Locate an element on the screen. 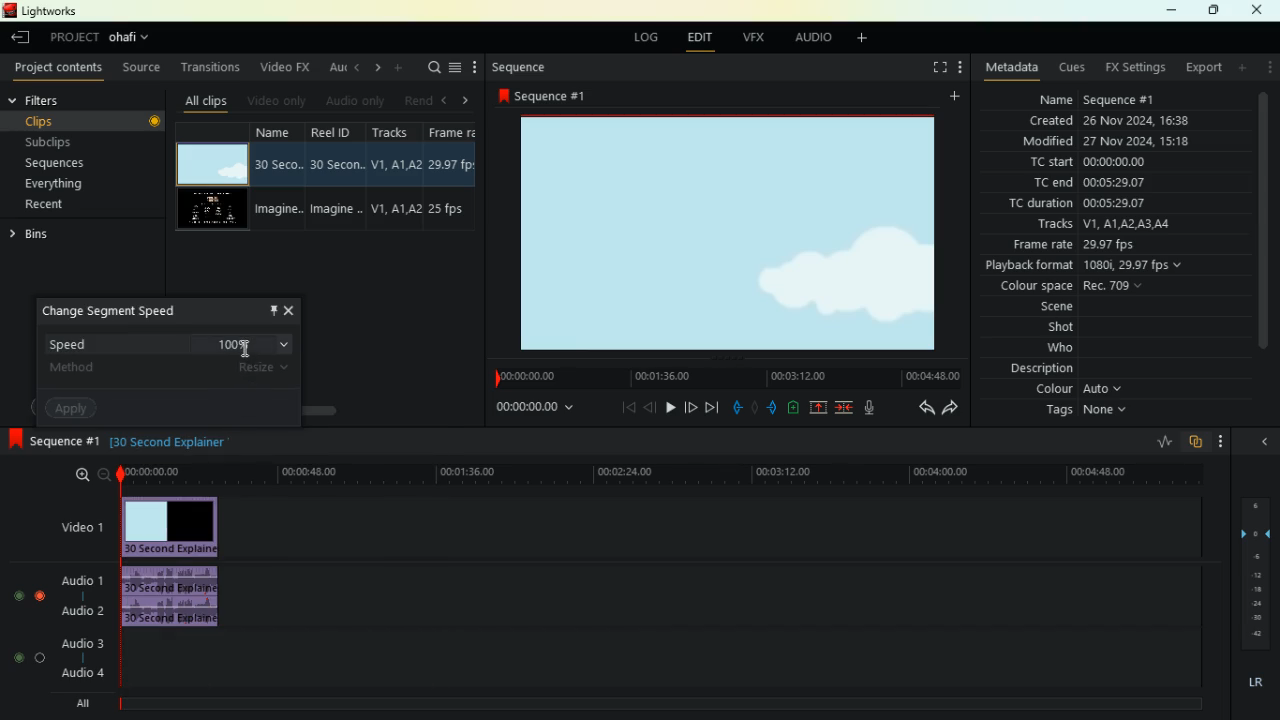 This screenshot has height=720, width=1280. forward is located at coordinates (713, 407).